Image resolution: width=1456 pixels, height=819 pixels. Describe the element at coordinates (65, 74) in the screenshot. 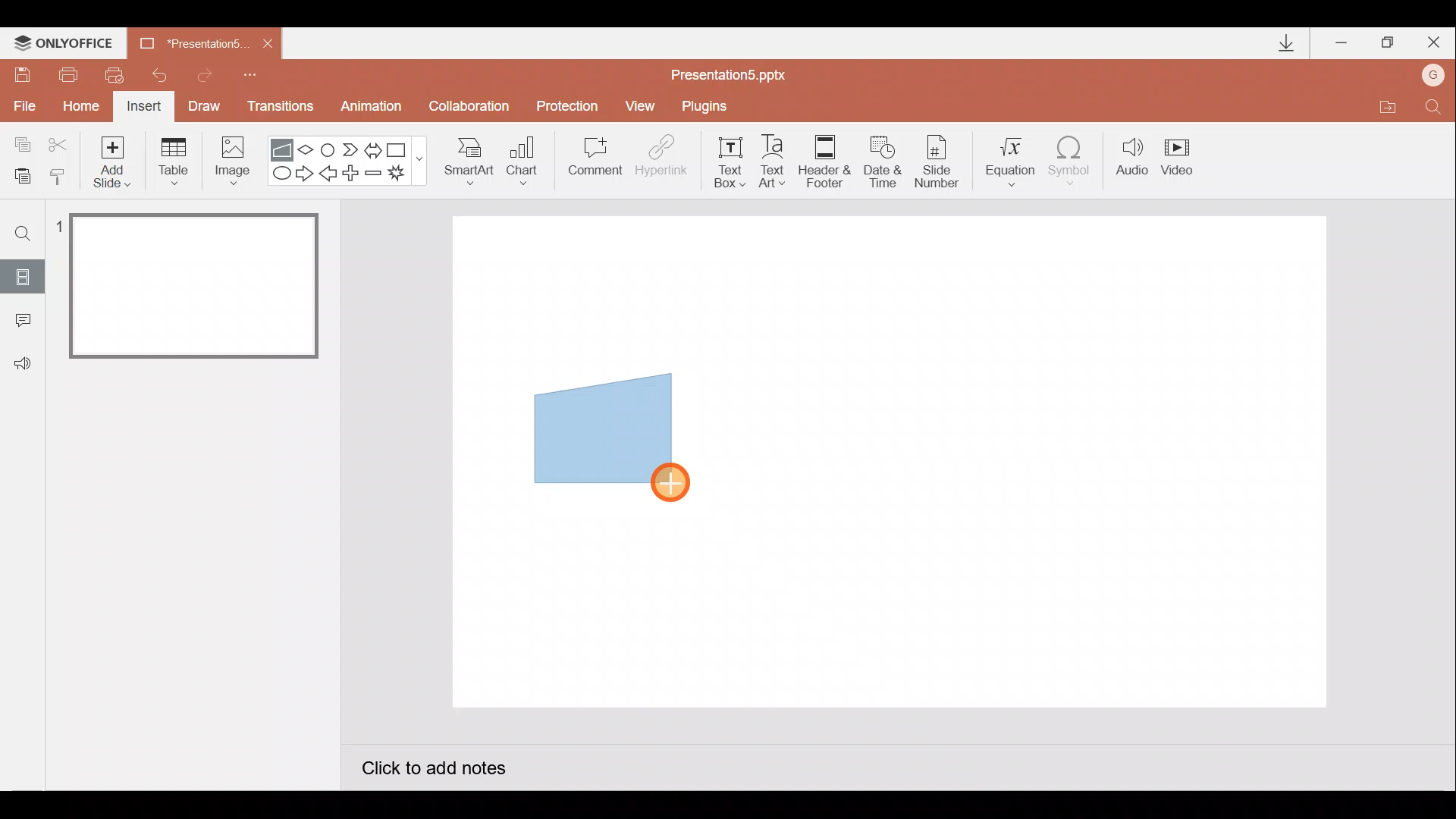

I see `Print file` at that location.